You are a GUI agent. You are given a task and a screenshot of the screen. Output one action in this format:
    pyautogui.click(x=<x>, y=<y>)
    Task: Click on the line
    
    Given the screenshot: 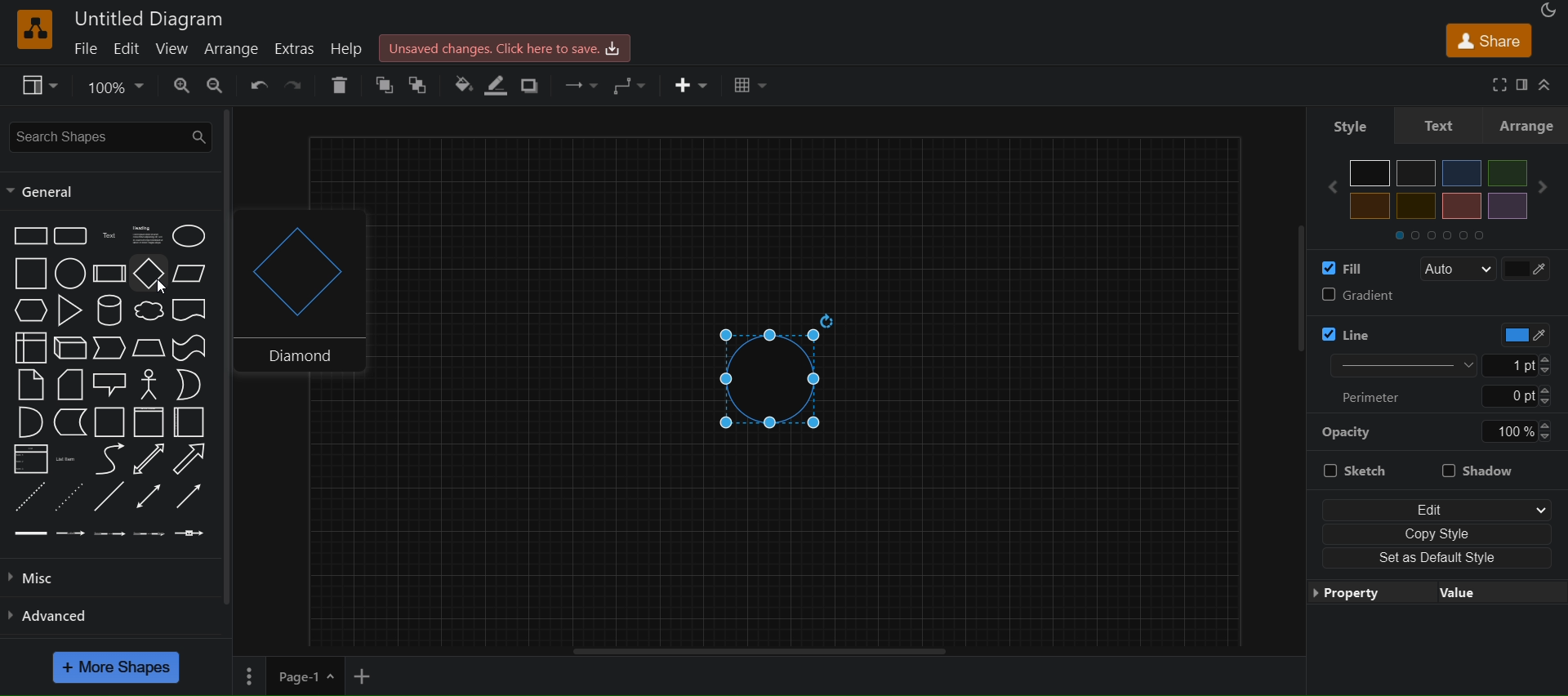 What is the action you would take?
    pyautogui.click(x=109, y=498)
    